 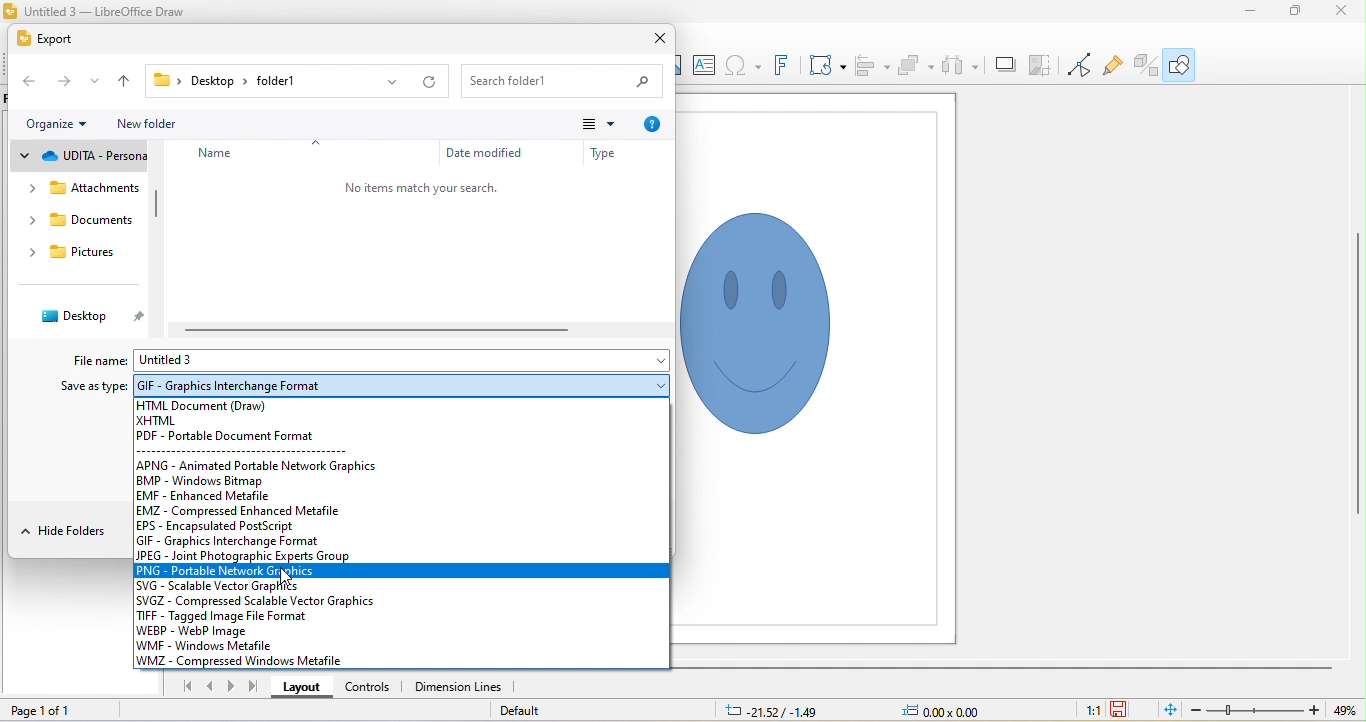 I want to click on export, so click(x=47, y=39).